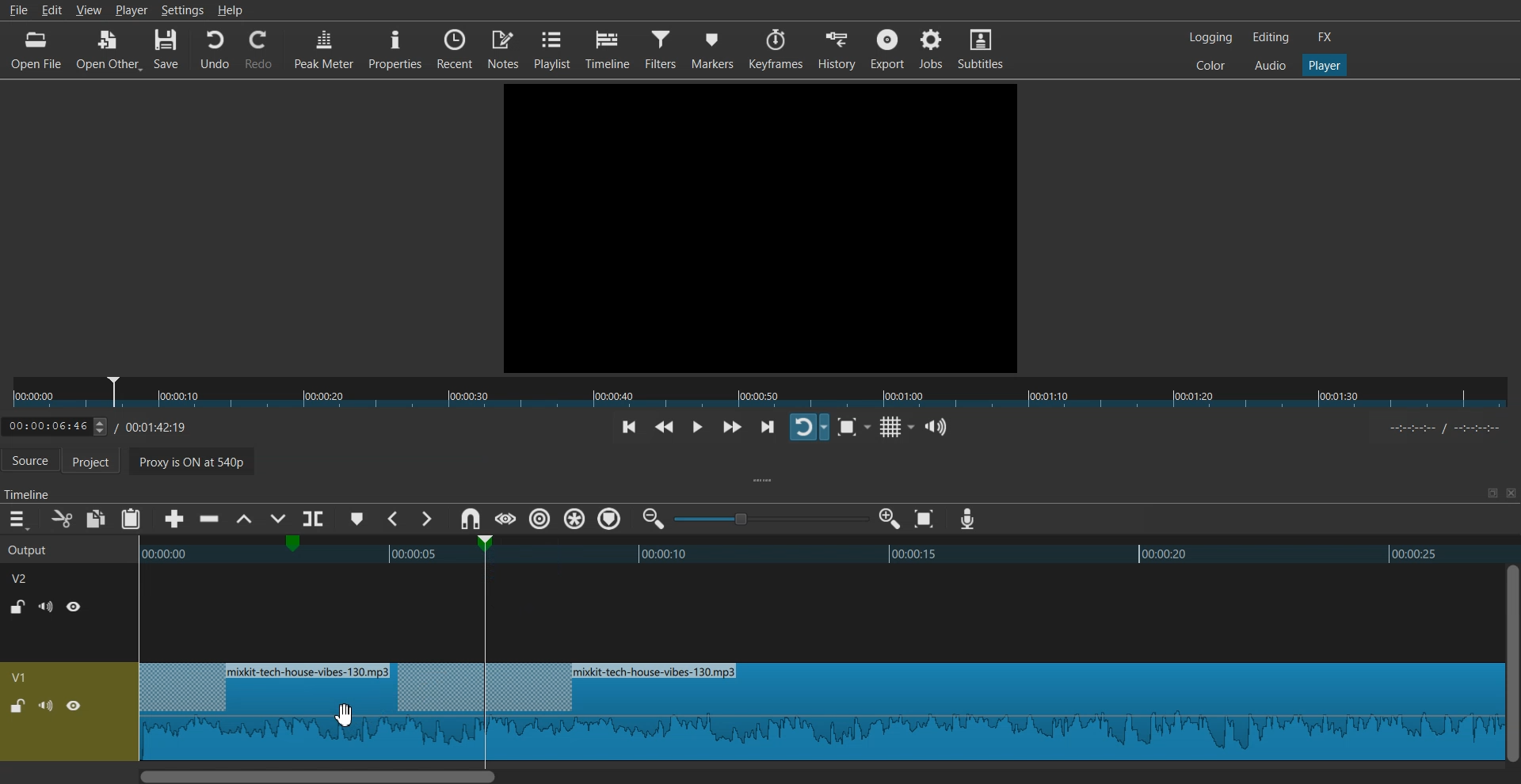  I want to click on Zoom timeline in, so click(889, 519).